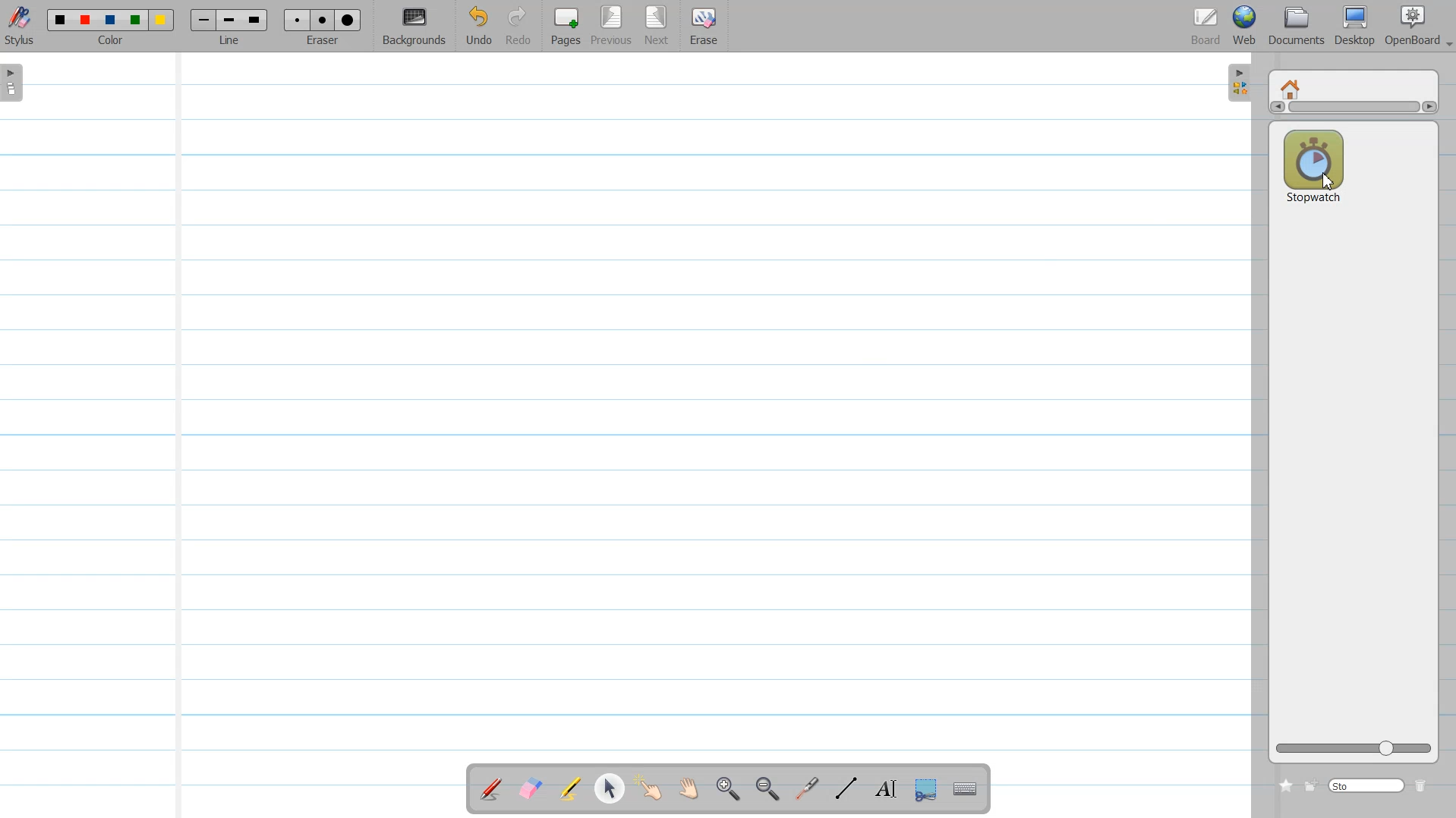  Describe the element at coordinates (1328, 181) in the screenshot. I see `Cursor` at that location.